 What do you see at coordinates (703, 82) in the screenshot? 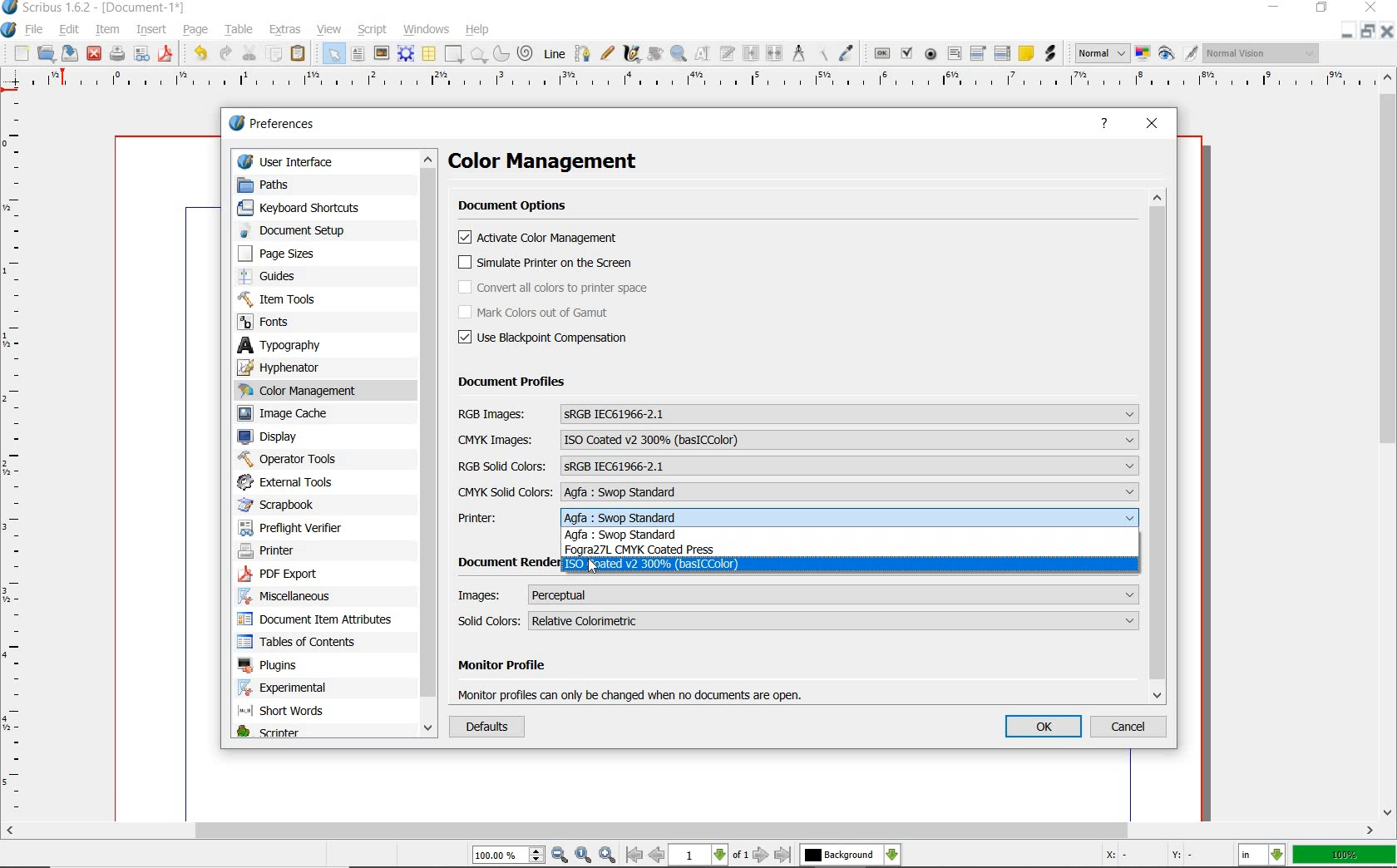
I see `ruler` at bounding box center [703, 82].